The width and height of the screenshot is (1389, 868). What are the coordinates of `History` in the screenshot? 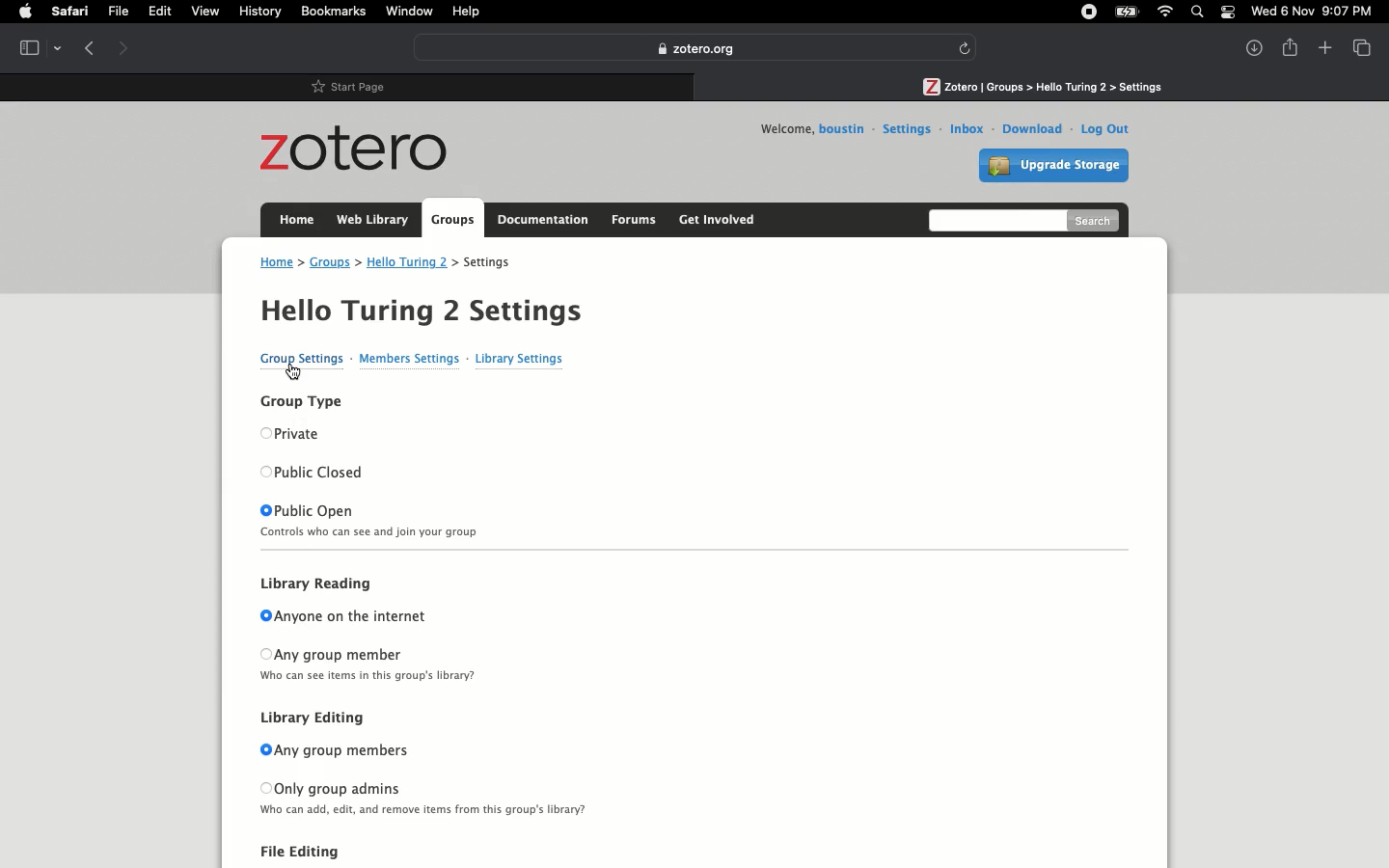 It's located at (259, 13).